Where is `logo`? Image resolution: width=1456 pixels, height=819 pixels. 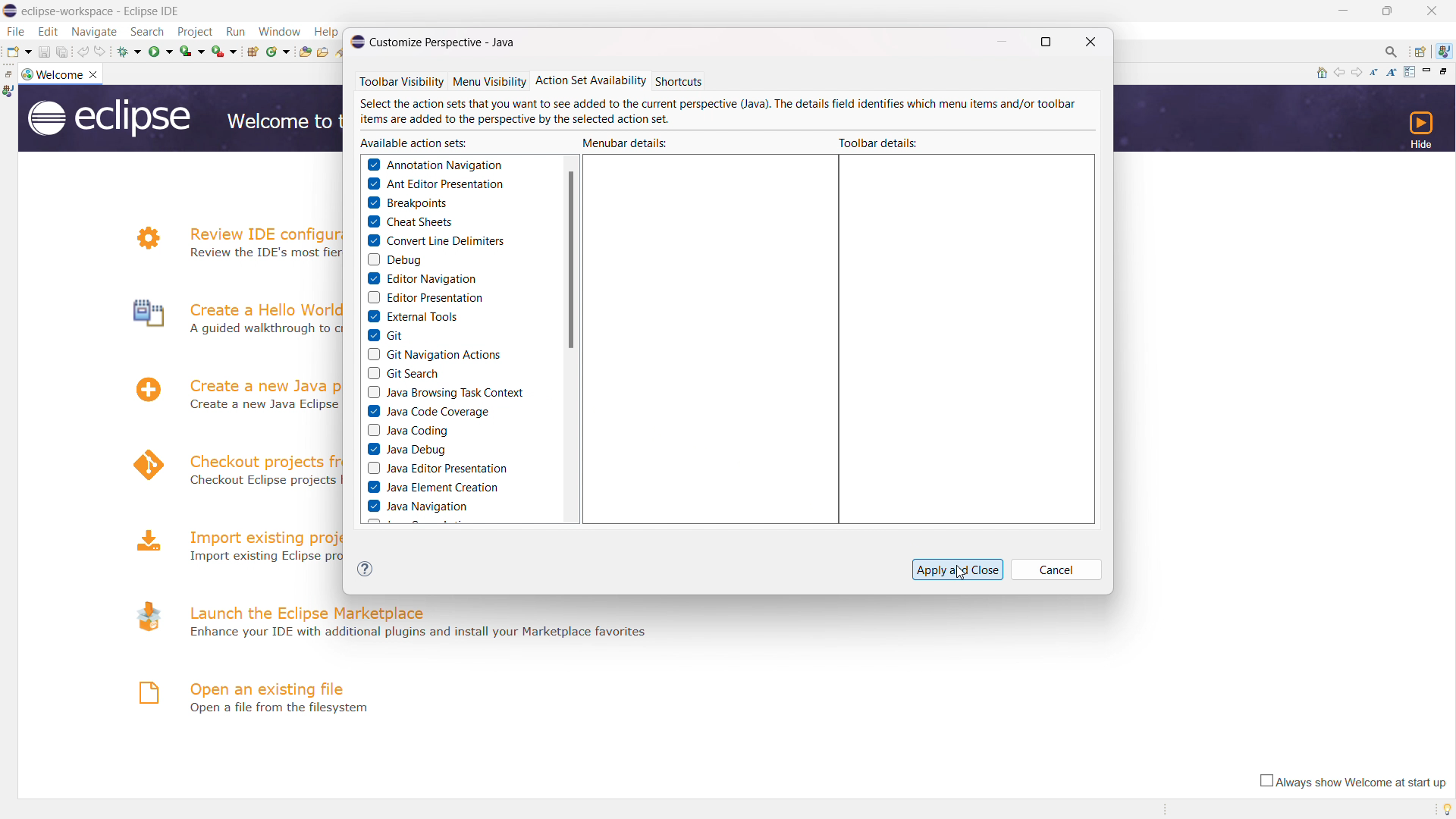 logo is located at coordinates (108, 118).